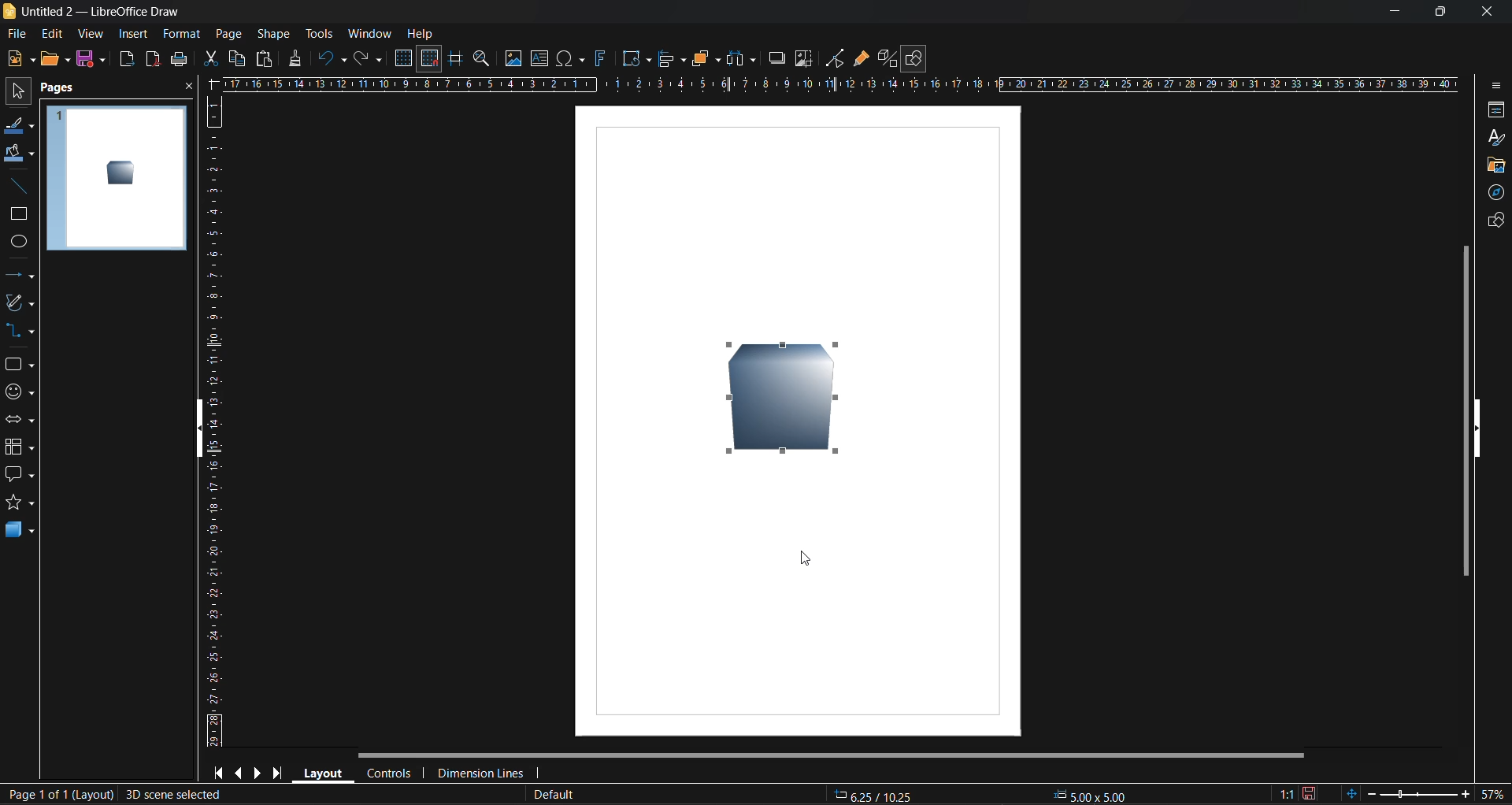 The height and width of the screenshot is (805, 1512). What do you see at coordinates (886, 58) in the screenshot?
I see `toggle extrusion` at bounding box center [886, 58].